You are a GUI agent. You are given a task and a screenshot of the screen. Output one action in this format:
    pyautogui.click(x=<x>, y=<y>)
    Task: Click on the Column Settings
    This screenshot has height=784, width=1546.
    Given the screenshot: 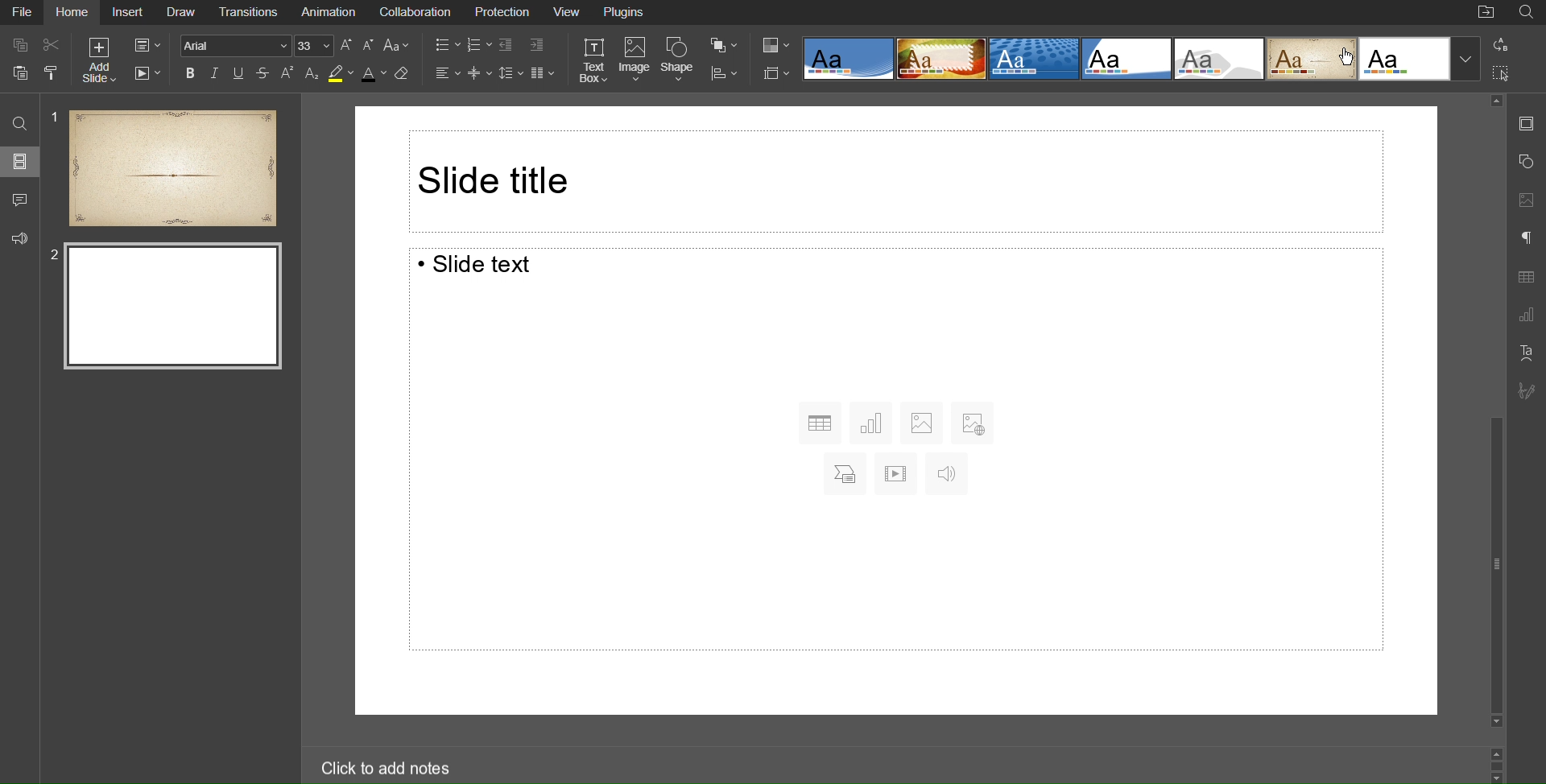 What is the action you would take?
    pyautogui.click(x=543, y=73)
    